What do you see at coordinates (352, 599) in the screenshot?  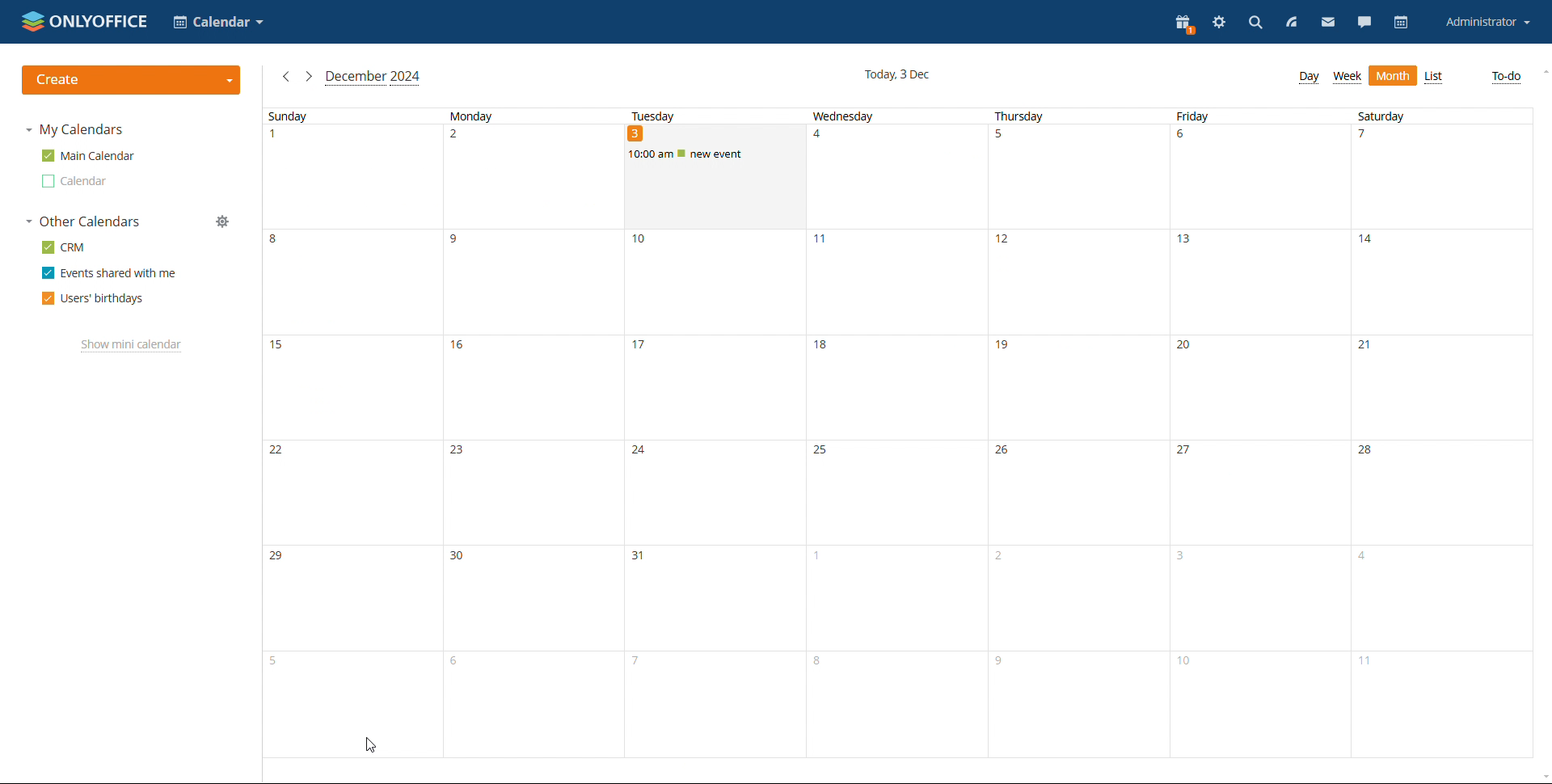 I see `29` at bounding box center [352, 599].